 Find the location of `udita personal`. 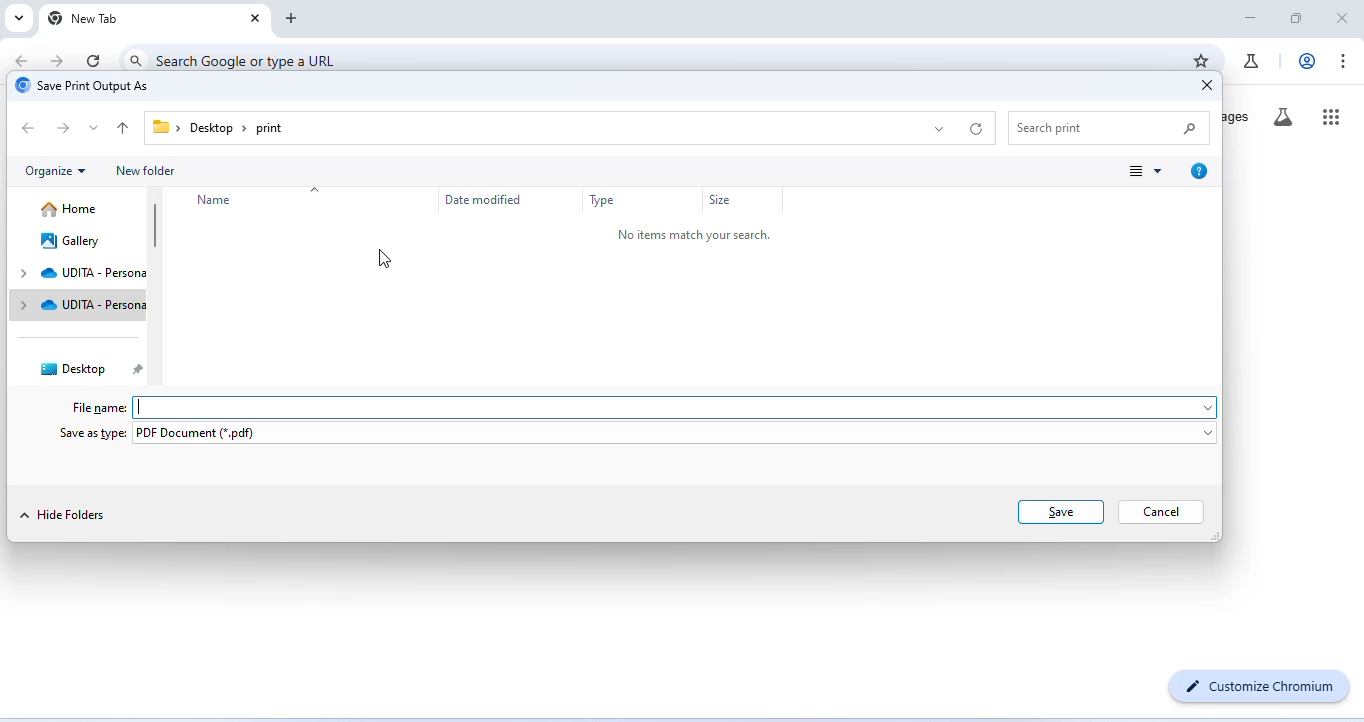

udita personal is located at coordinates (93, 306).